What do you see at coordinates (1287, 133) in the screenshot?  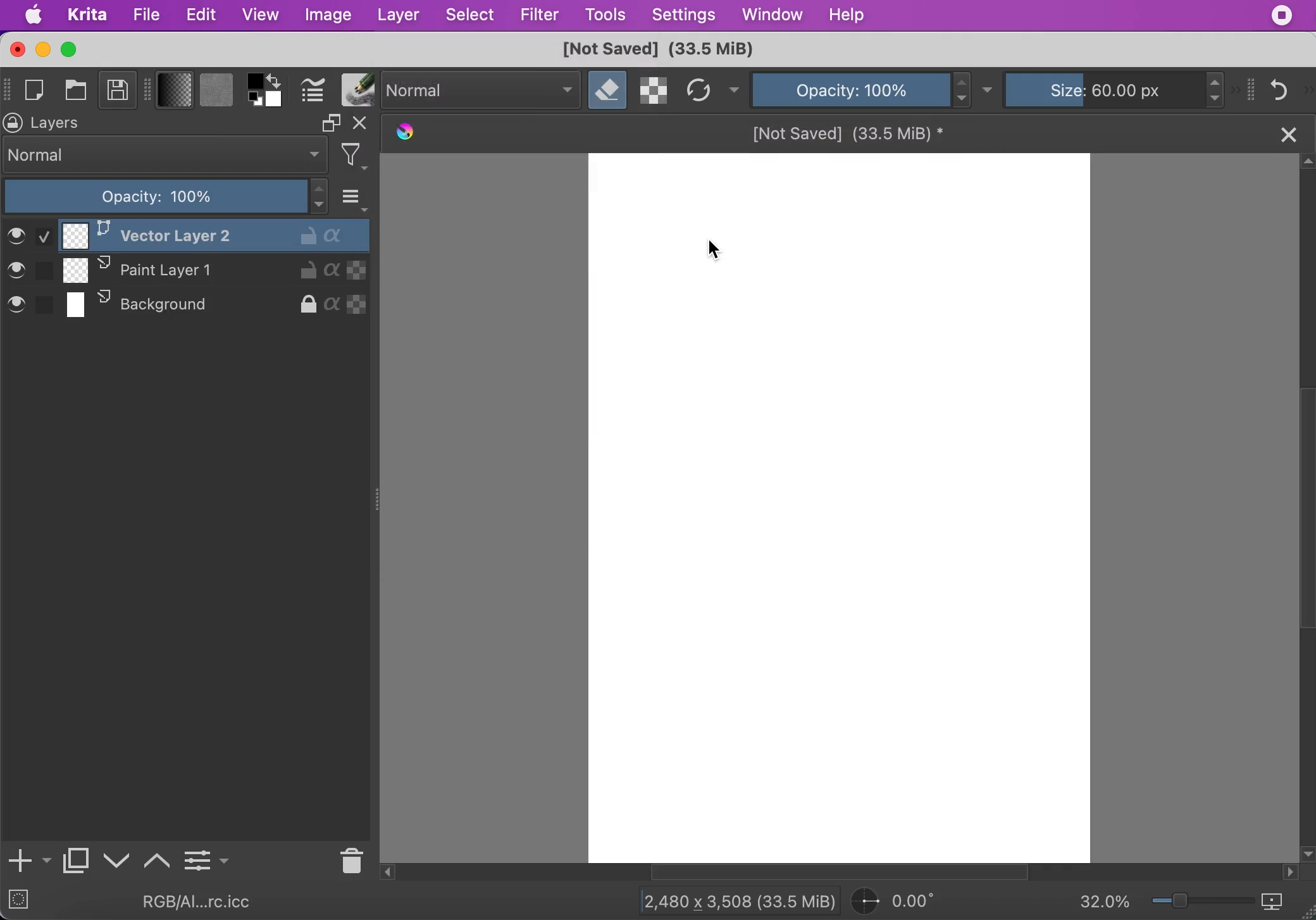 I see `close` at bounding box center [1287, 133].